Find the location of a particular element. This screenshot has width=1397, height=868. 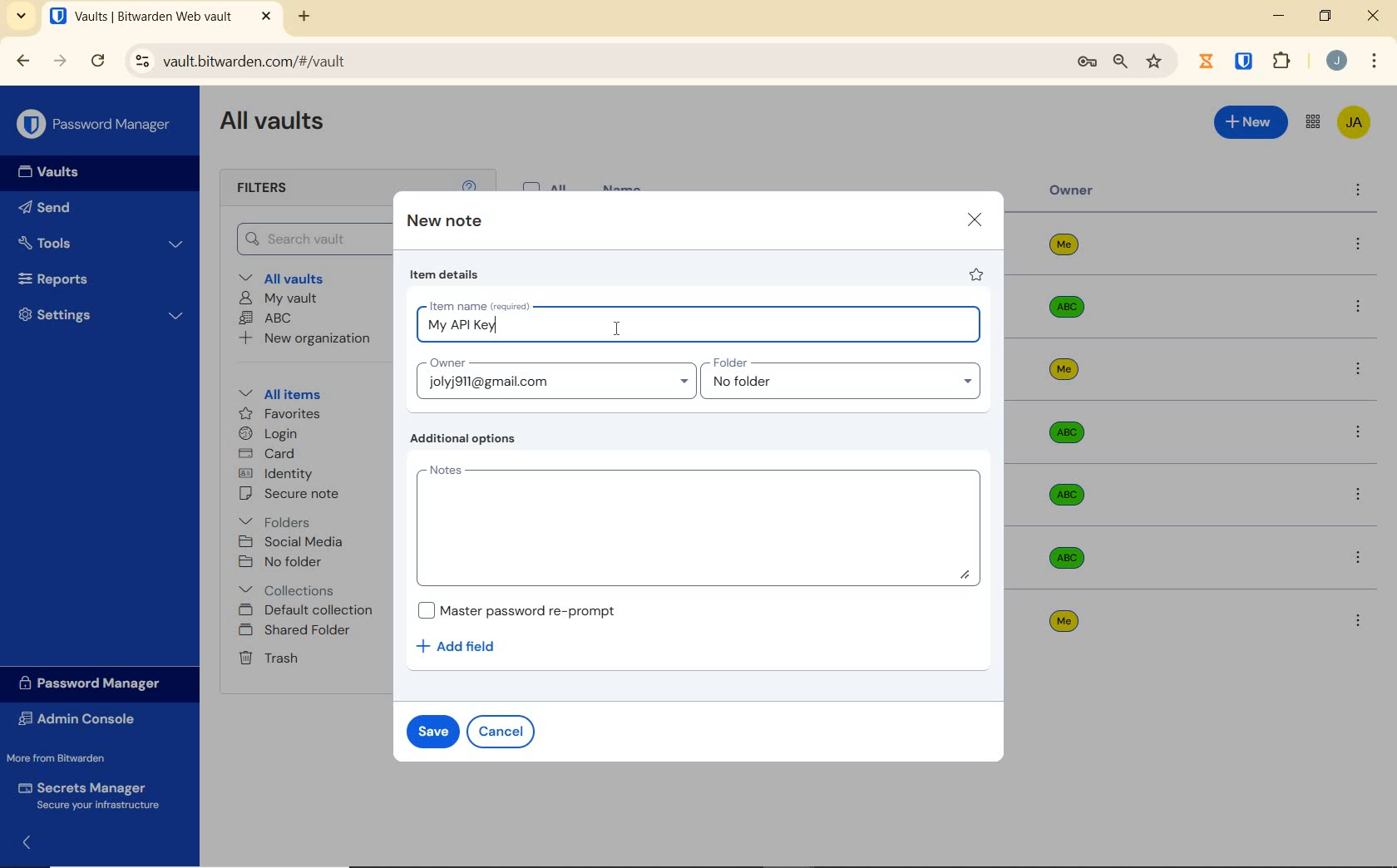

Master password re-prompt is located at coordinates (516, 610).